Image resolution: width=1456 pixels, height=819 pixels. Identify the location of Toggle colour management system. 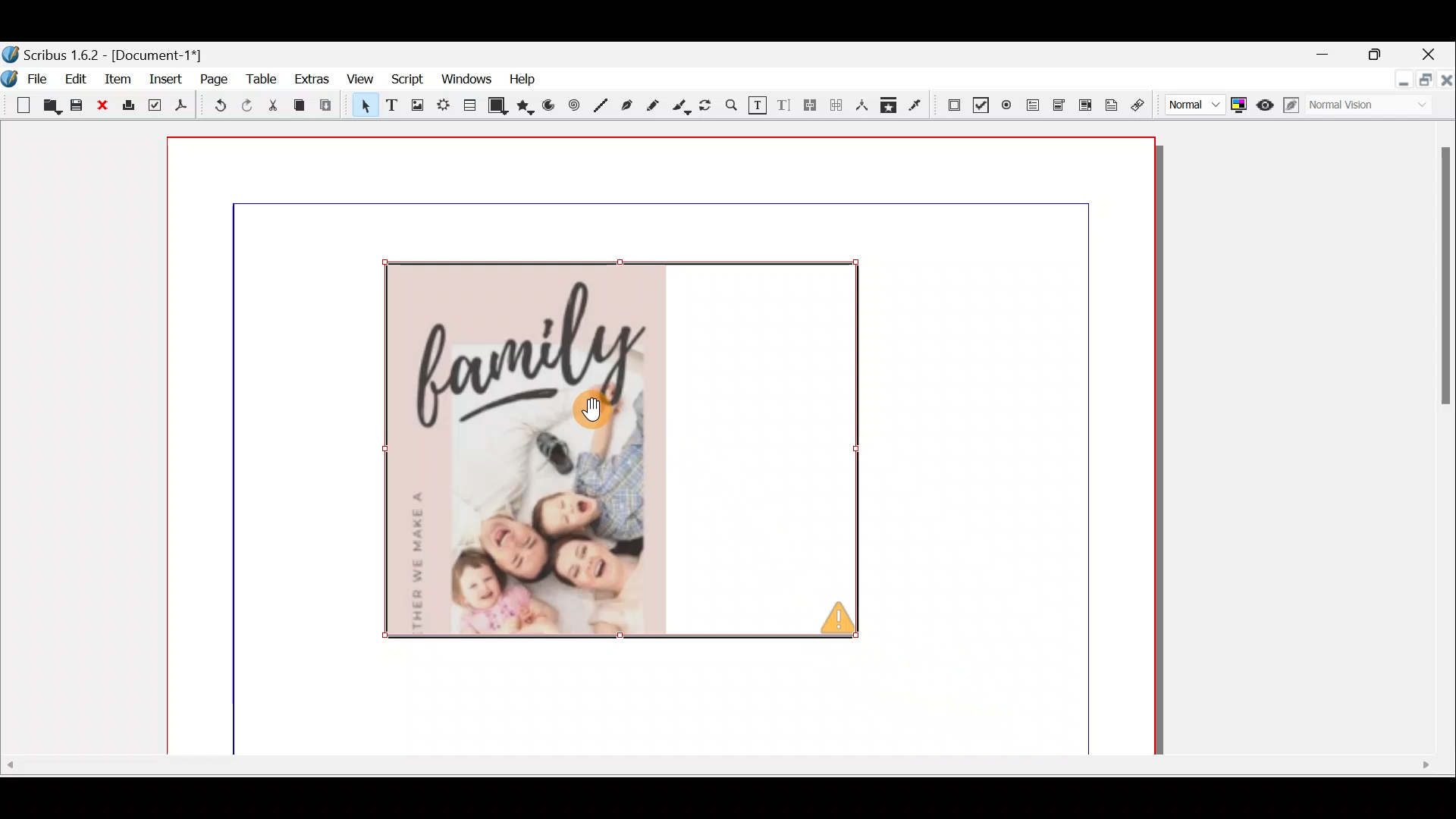
(1238, 106).